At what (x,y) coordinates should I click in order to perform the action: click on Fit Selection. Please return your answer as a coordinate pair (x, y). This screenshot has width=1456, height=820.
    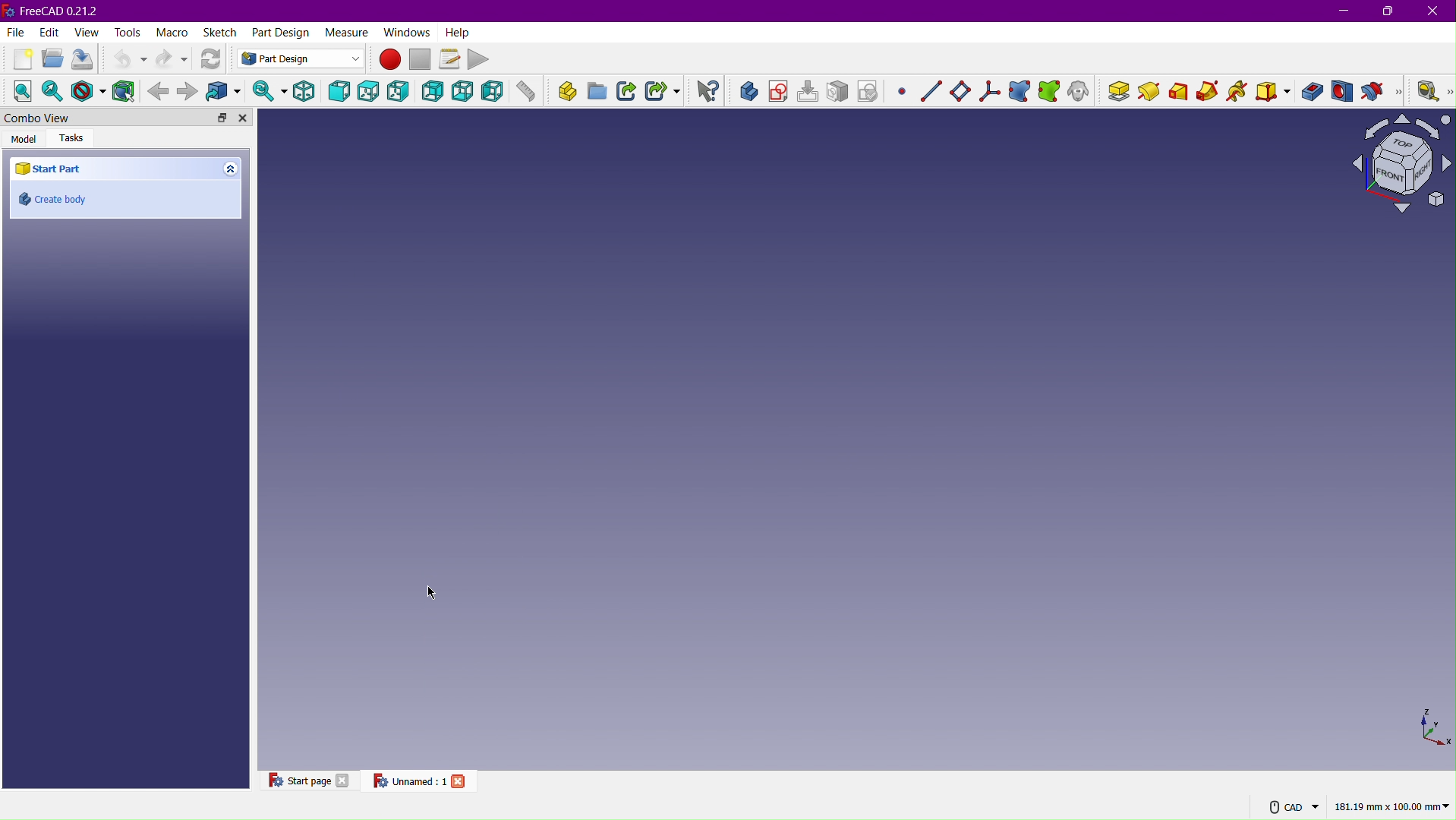
    Looking at the image, I should click on (55, 91).